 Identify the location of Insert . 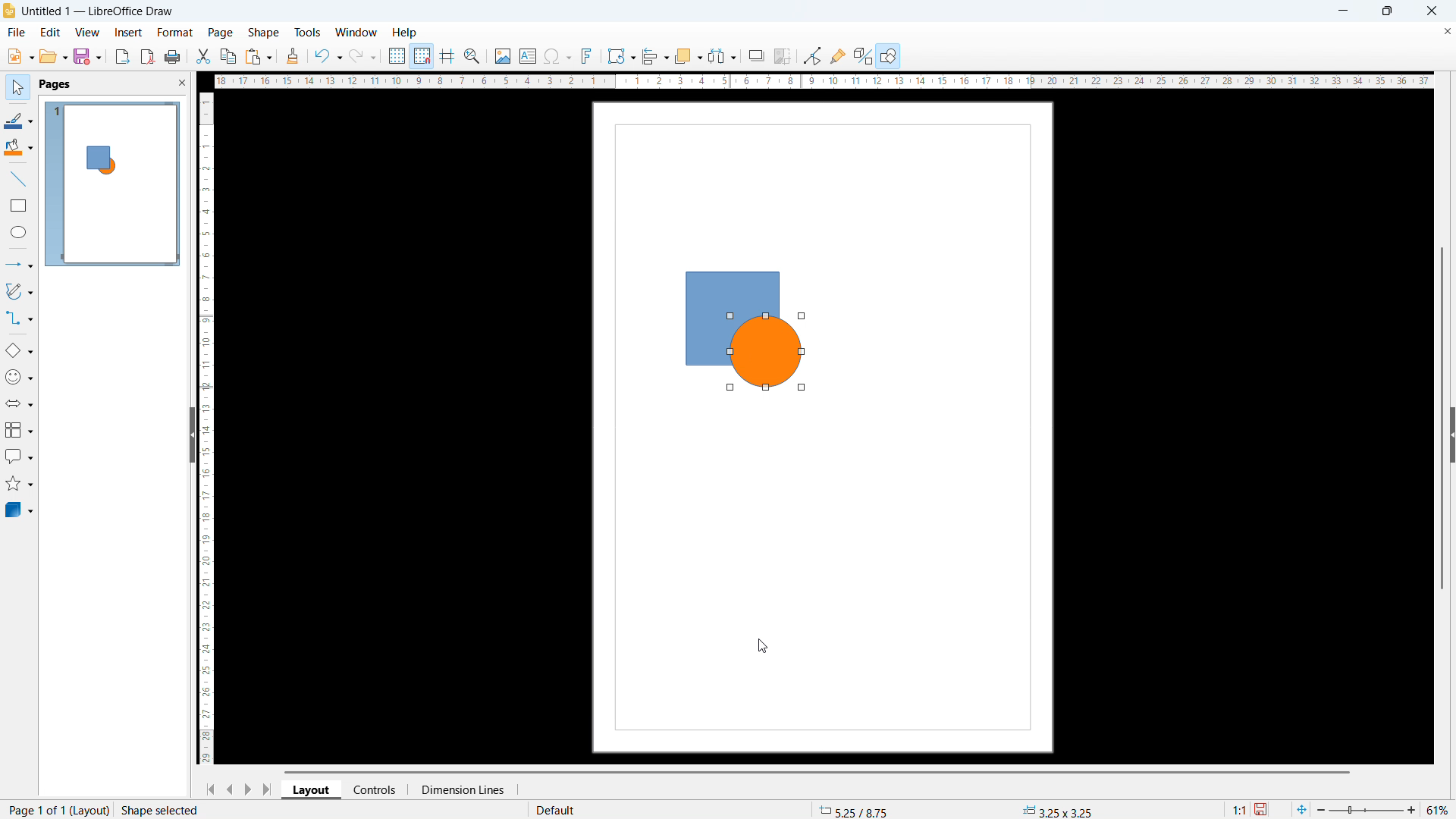
(128, 32).